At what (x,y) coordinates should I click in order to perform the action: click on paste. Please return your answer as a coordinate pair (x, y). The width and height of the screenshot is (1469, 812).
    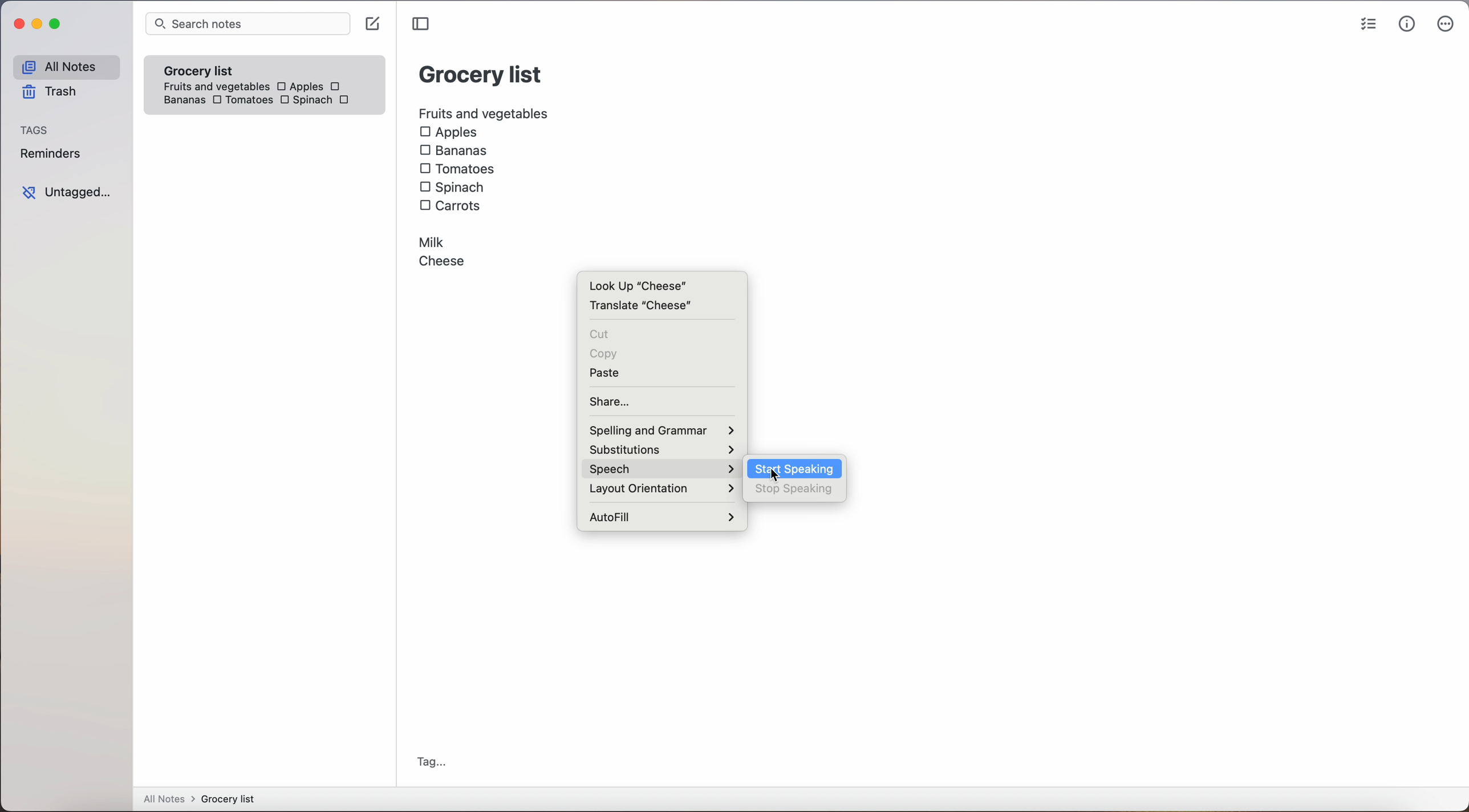
    Looking at the image, I should click on (611, 373).